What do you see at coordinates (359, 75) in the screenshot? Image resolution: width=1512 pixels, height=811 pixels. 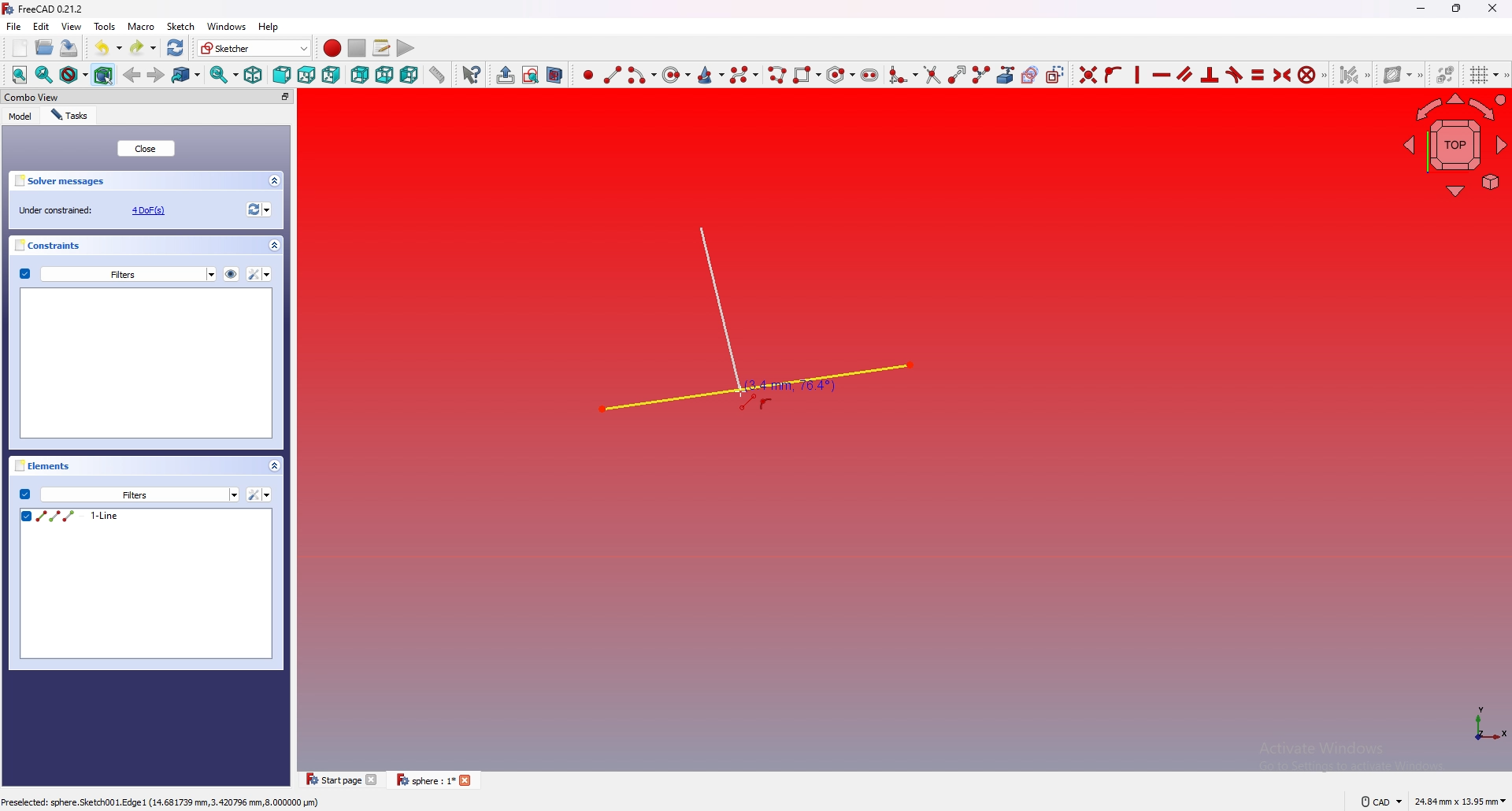 I see `Rear` at bounding box center [359, 75].